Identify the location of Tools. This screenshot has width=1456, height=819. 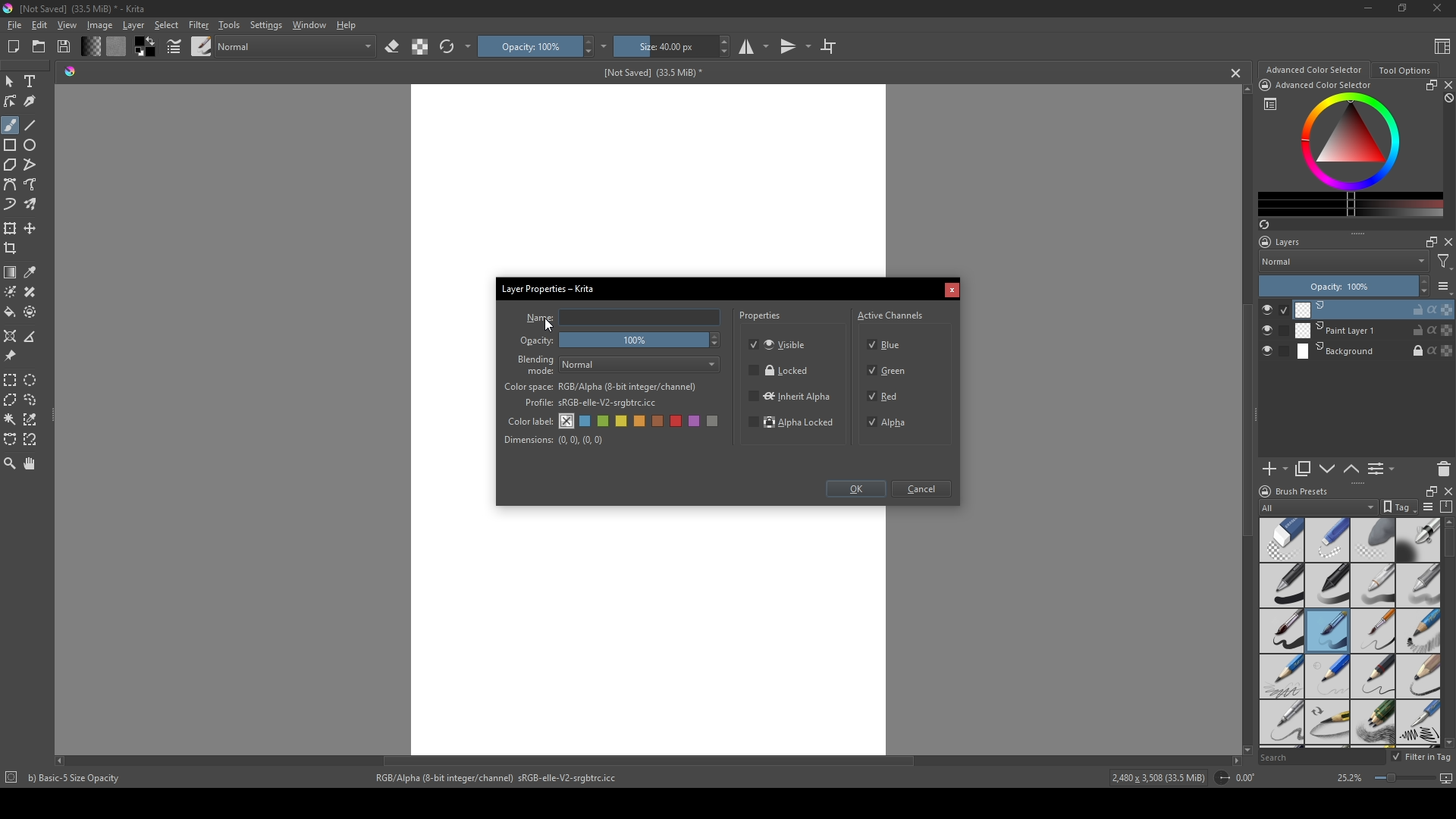
(229, 24).